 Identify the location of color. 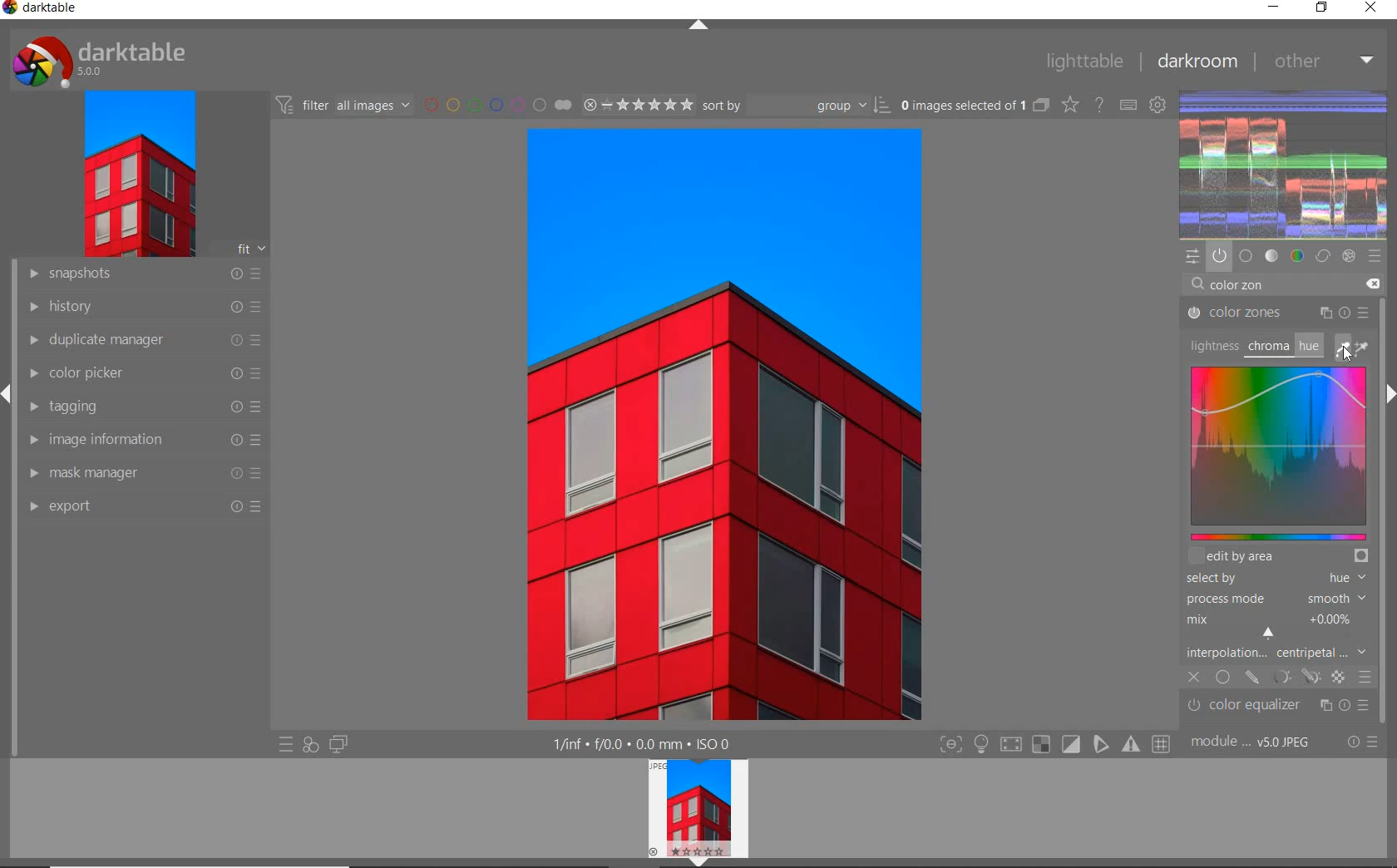
(1296, 256).